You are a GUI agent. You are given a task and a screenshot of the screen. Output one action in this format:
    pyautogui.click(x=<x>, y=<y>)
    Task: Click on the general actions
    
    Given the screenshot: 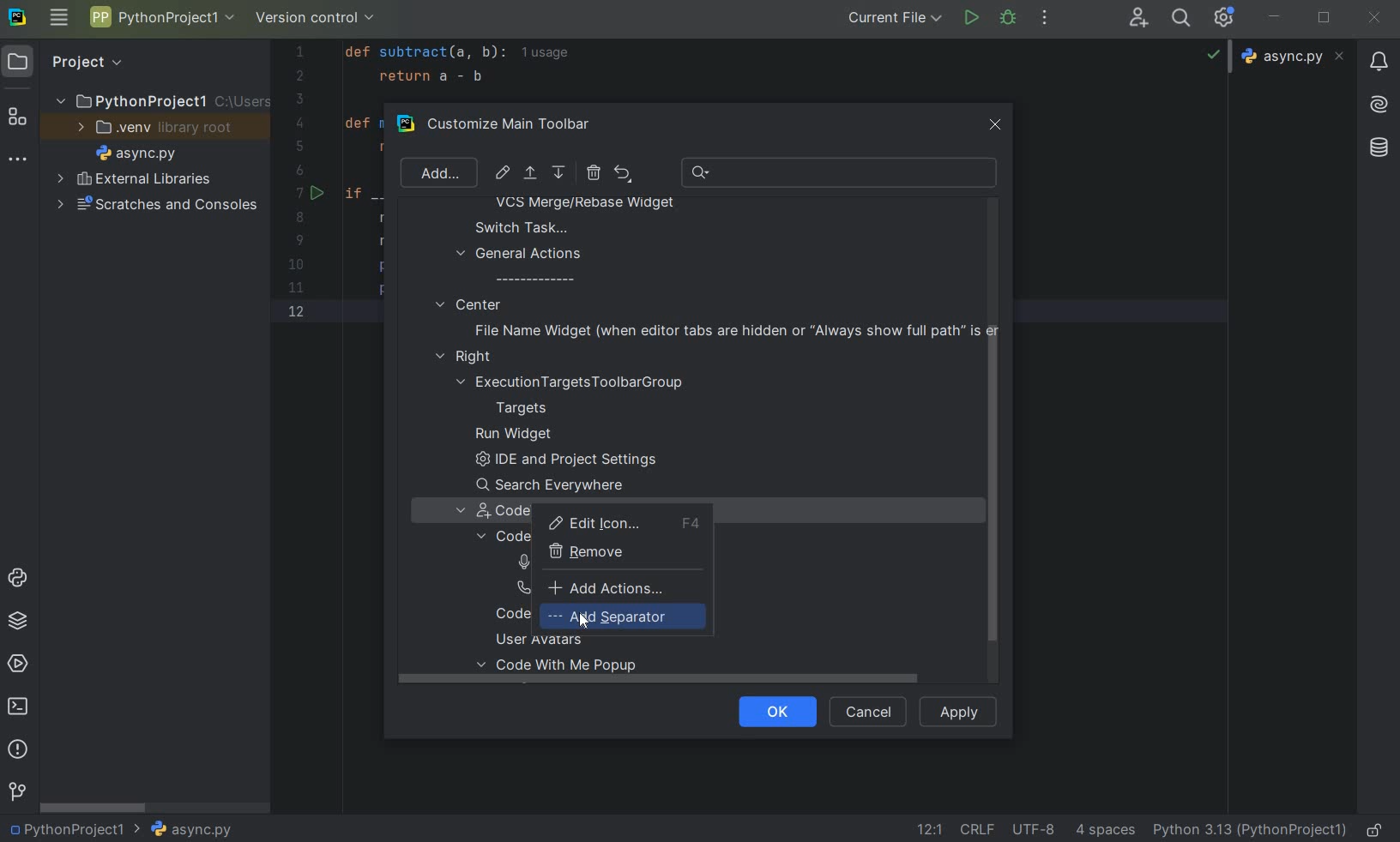 What is the action you would take?
    pyautogui.click(x=520, y=266)
    